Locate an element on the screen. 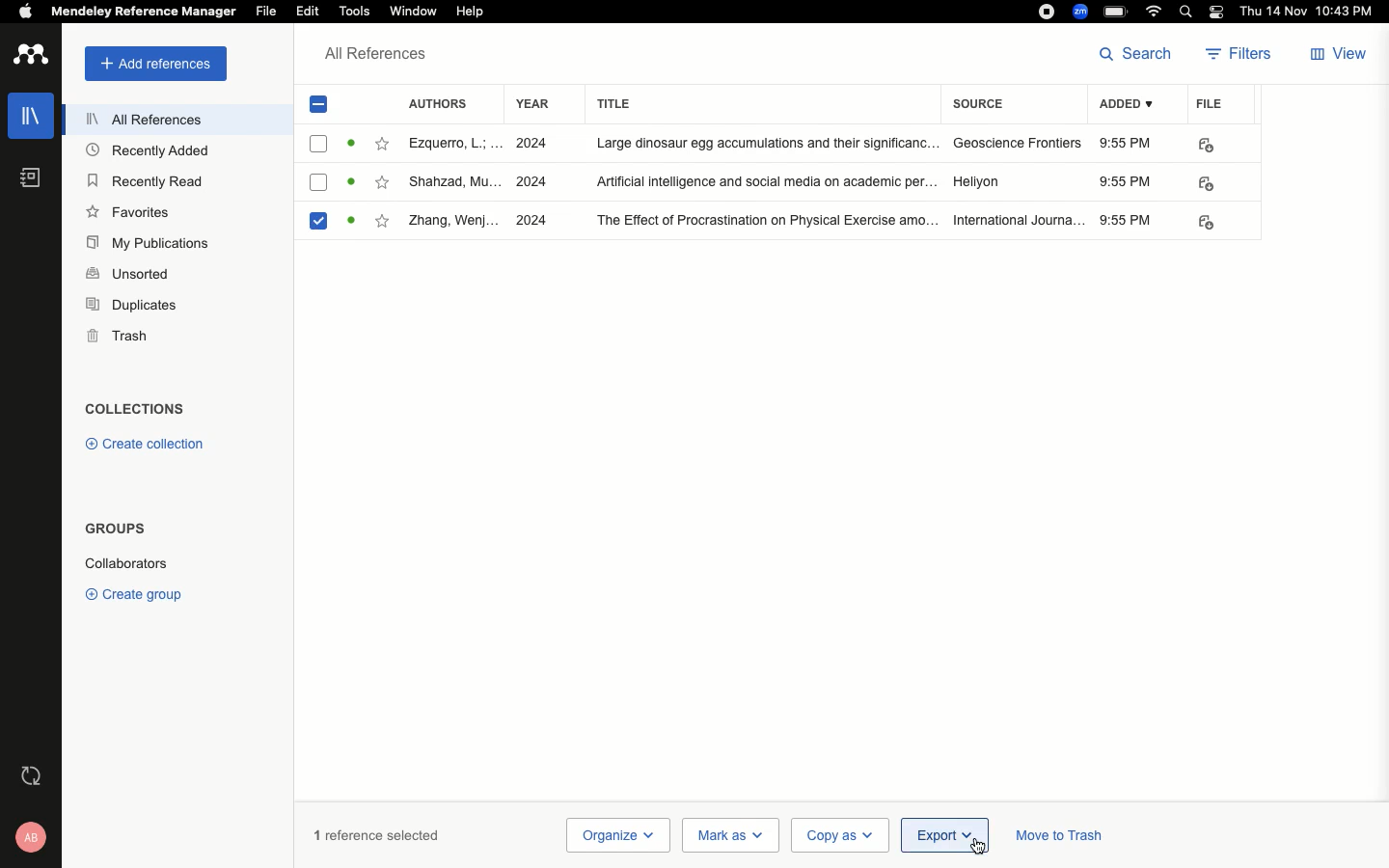 The height and width of the screenshot is (868, 1389). Unsorted is located at coordinates (128, 273).